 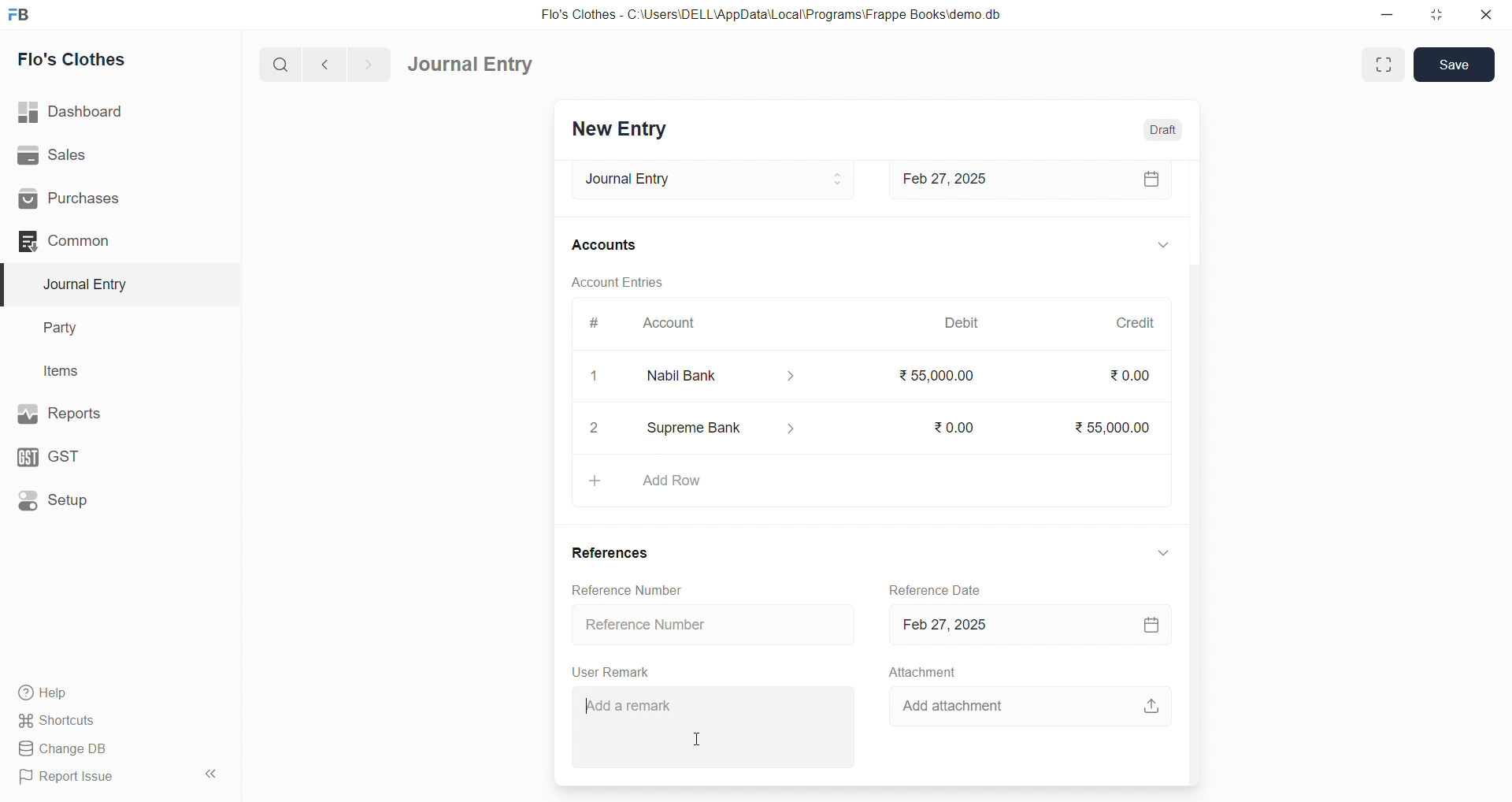 I want to click on New Entry, so click(x=622, y=130).